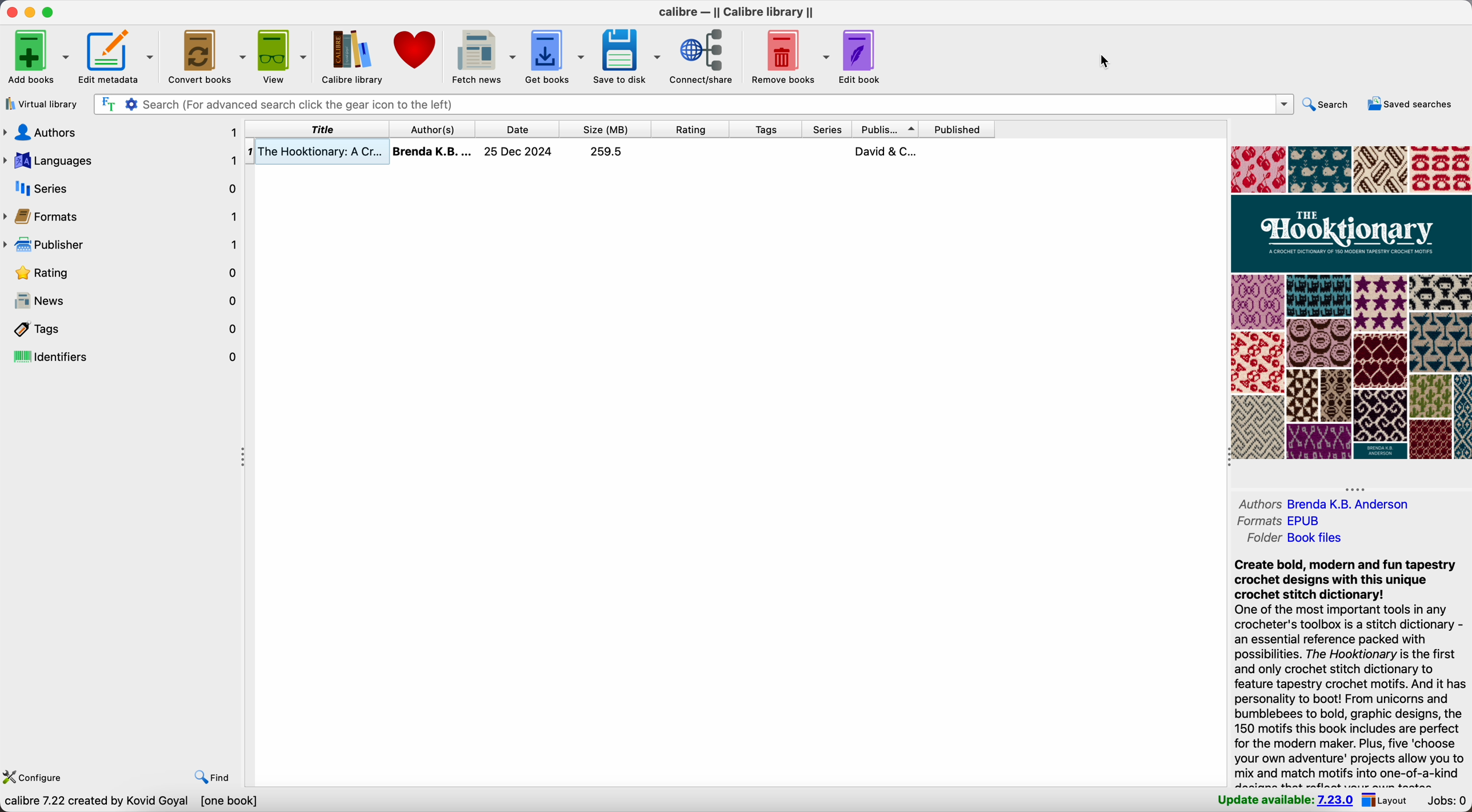 The width and height of the screenshot is (1472, 812). I want to click on size, so click(603, 129).